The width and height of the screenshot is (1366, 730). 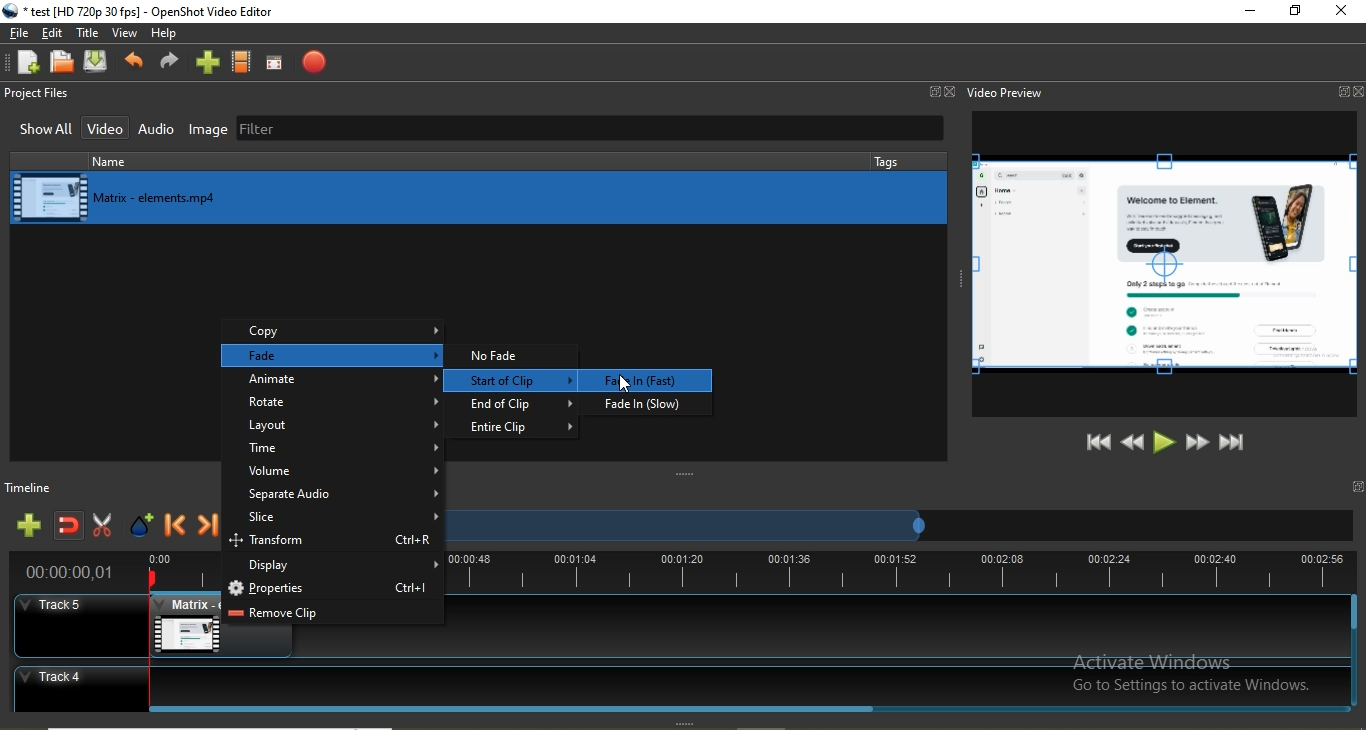 I want to click on Previous marker, so click(x=176, y=529).